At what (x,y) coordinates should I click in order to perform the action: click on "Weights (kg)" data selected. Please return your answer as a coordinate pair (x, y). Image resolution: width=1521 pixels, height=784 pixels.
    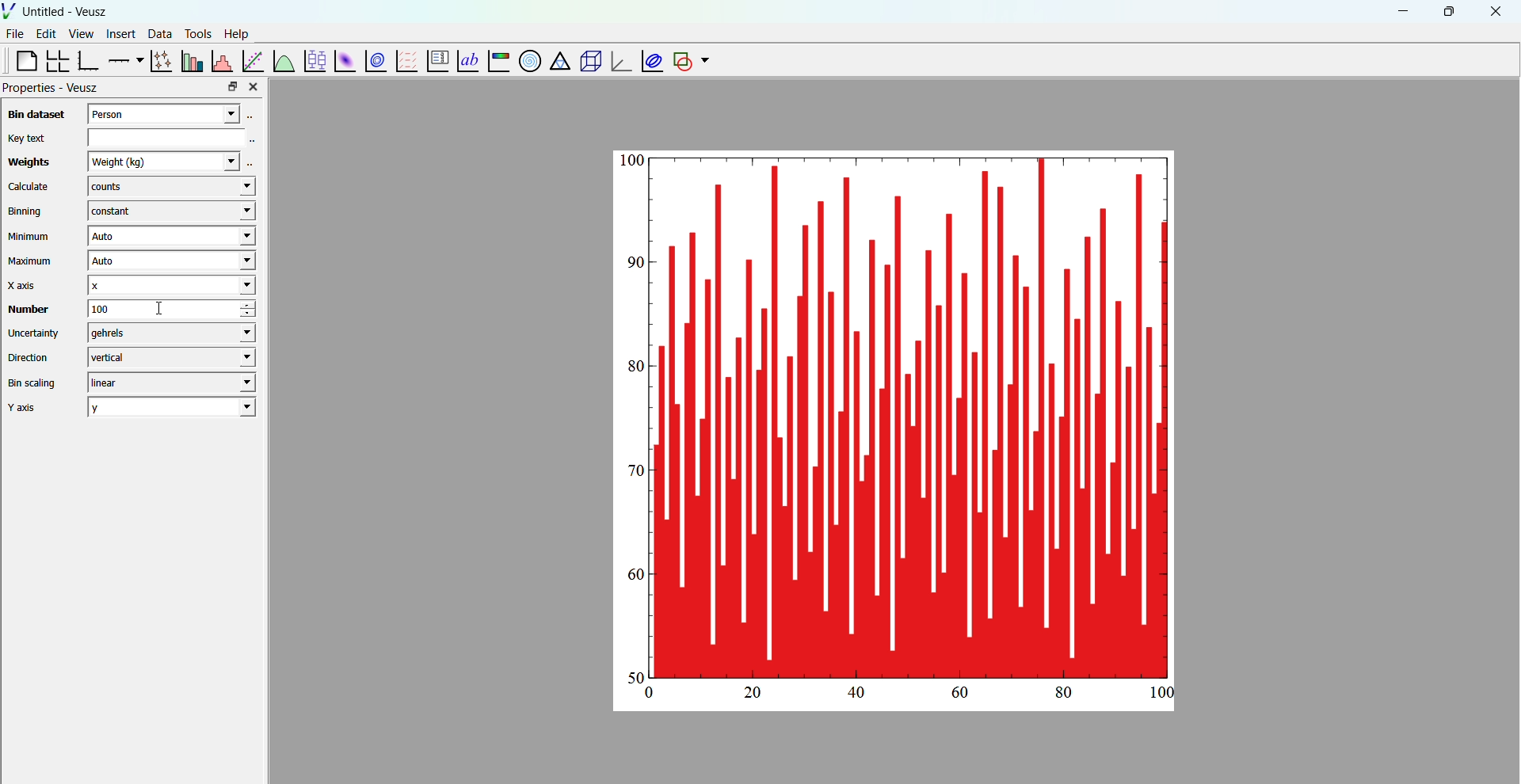
    Looking at the image, I should click on (171, 161).